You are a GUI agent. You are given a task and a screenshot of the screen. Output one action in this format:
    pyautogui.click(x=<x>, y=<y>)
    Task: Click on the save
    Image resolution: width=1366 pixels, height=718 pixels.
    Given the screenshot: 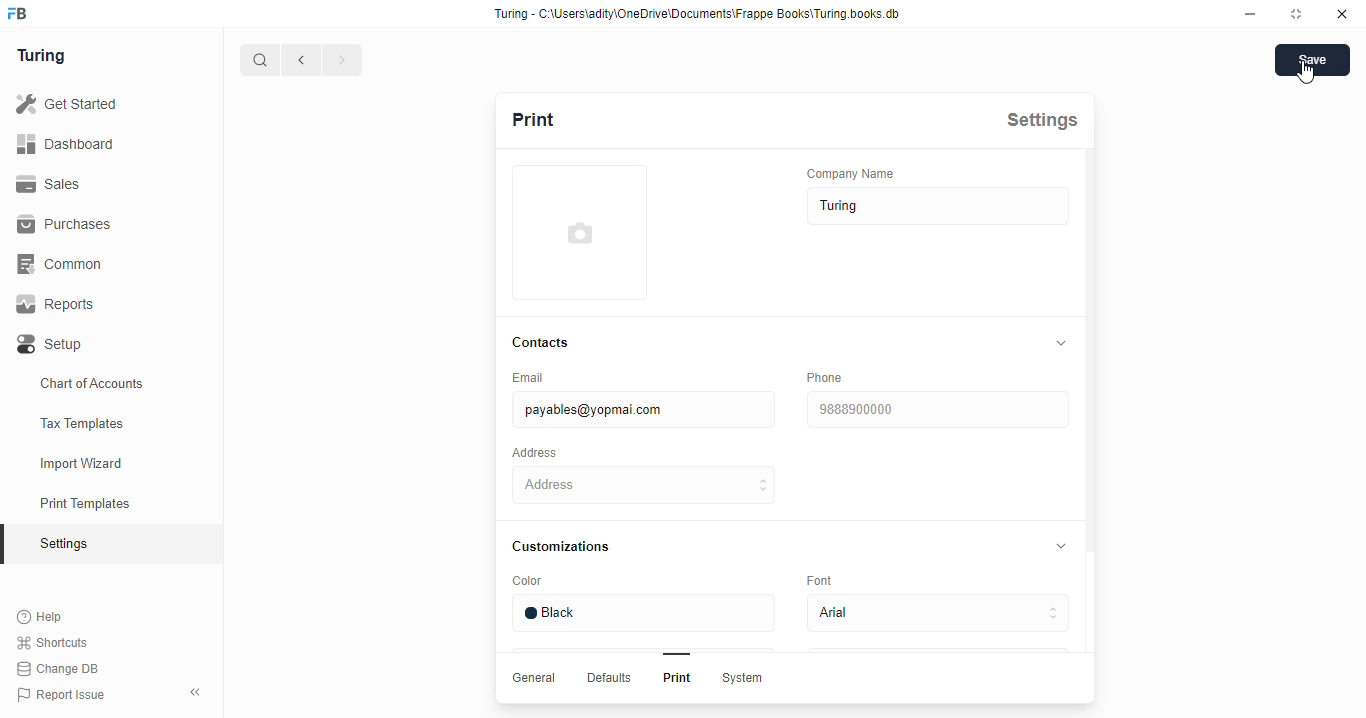 What is the action you would take?
    pyautogui.click(x=1312, y=59)
    